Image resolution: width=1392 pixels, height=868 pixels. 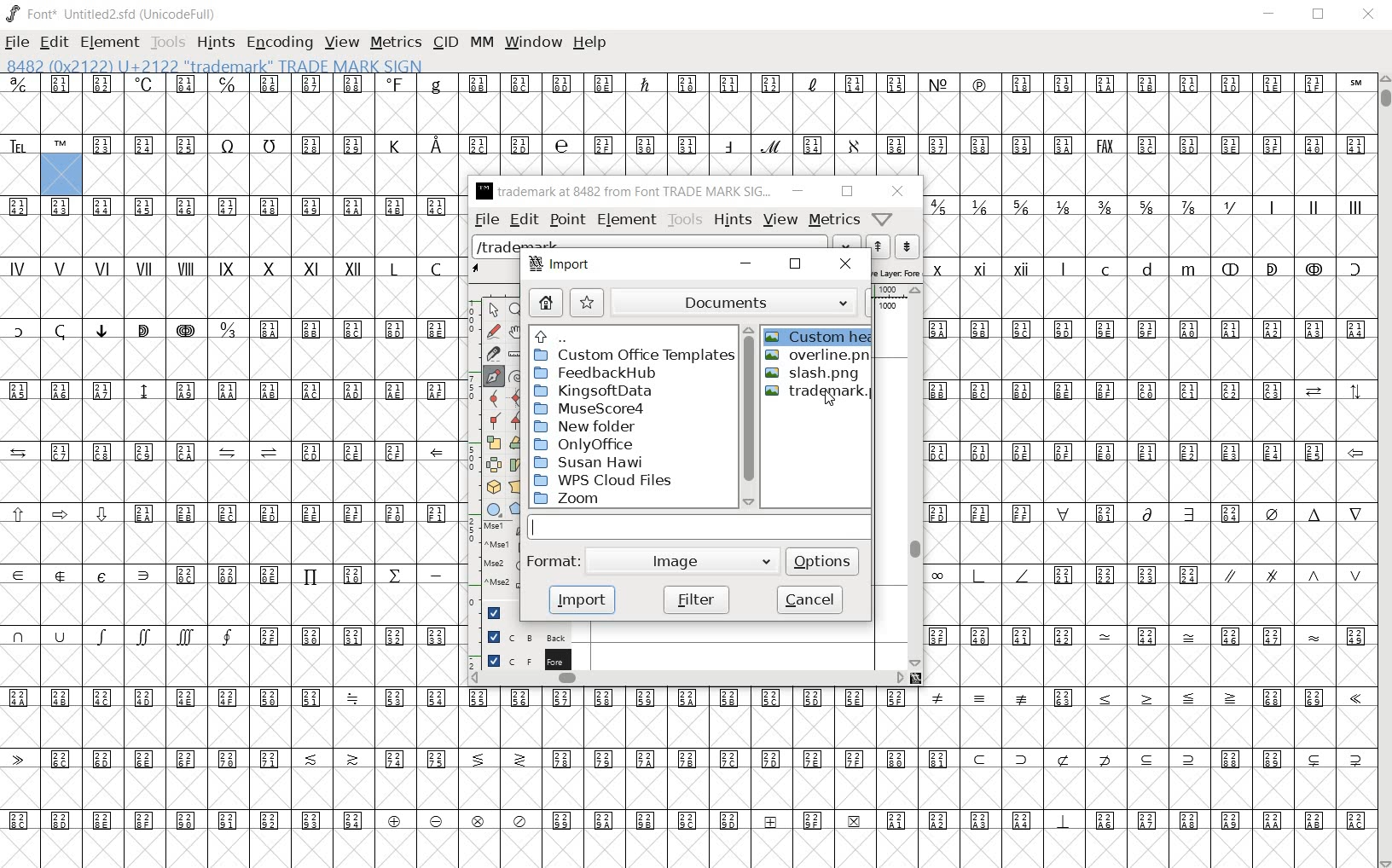 What do you see at coordinates (17, 43) in the screenshot?
I see `FILE` at bounding box center [17, 43].